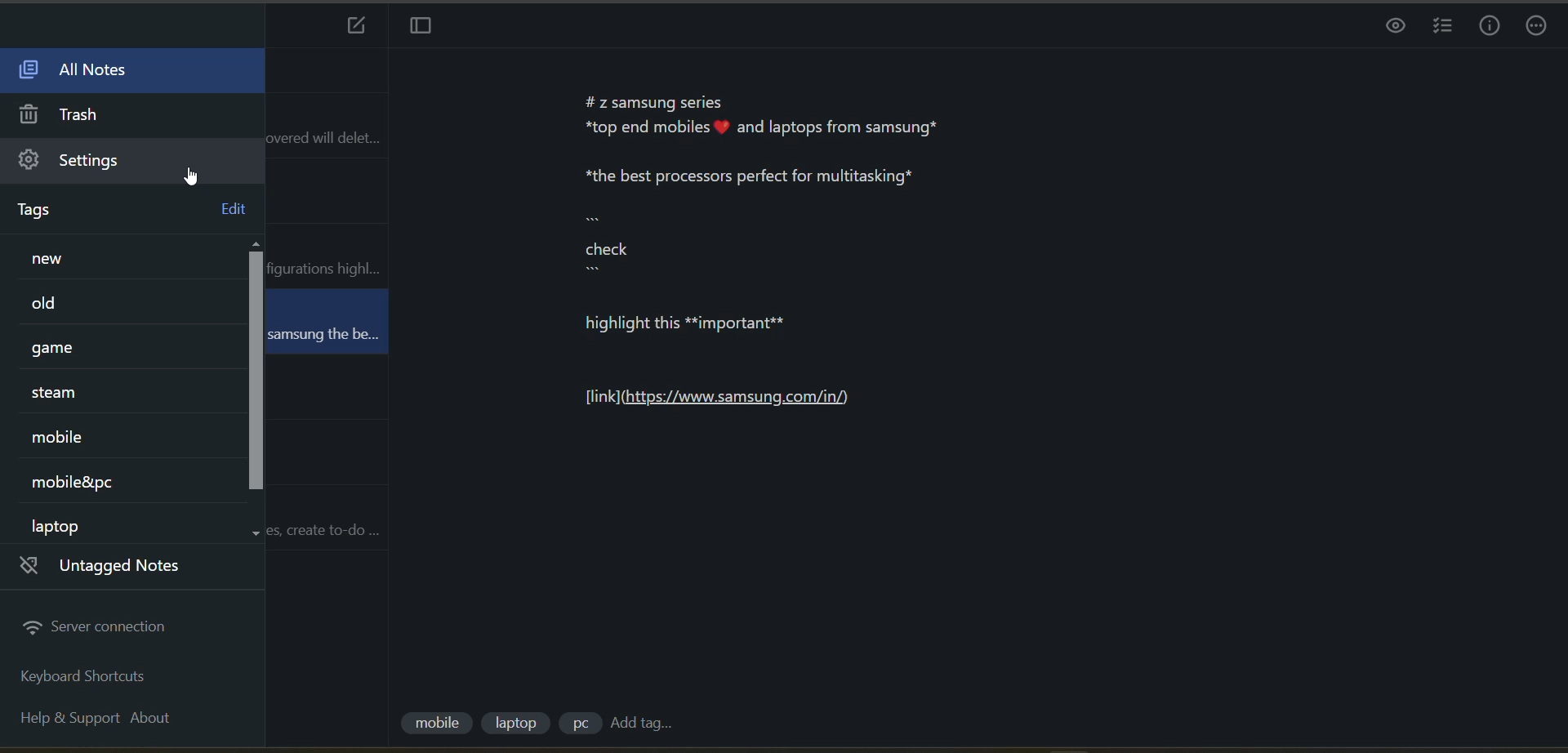 The image size is (1568, 753). What do you see at coordinates (1445, 28) in the screenshot?
I see `insert checklist` at bounding box center [1445, 28].